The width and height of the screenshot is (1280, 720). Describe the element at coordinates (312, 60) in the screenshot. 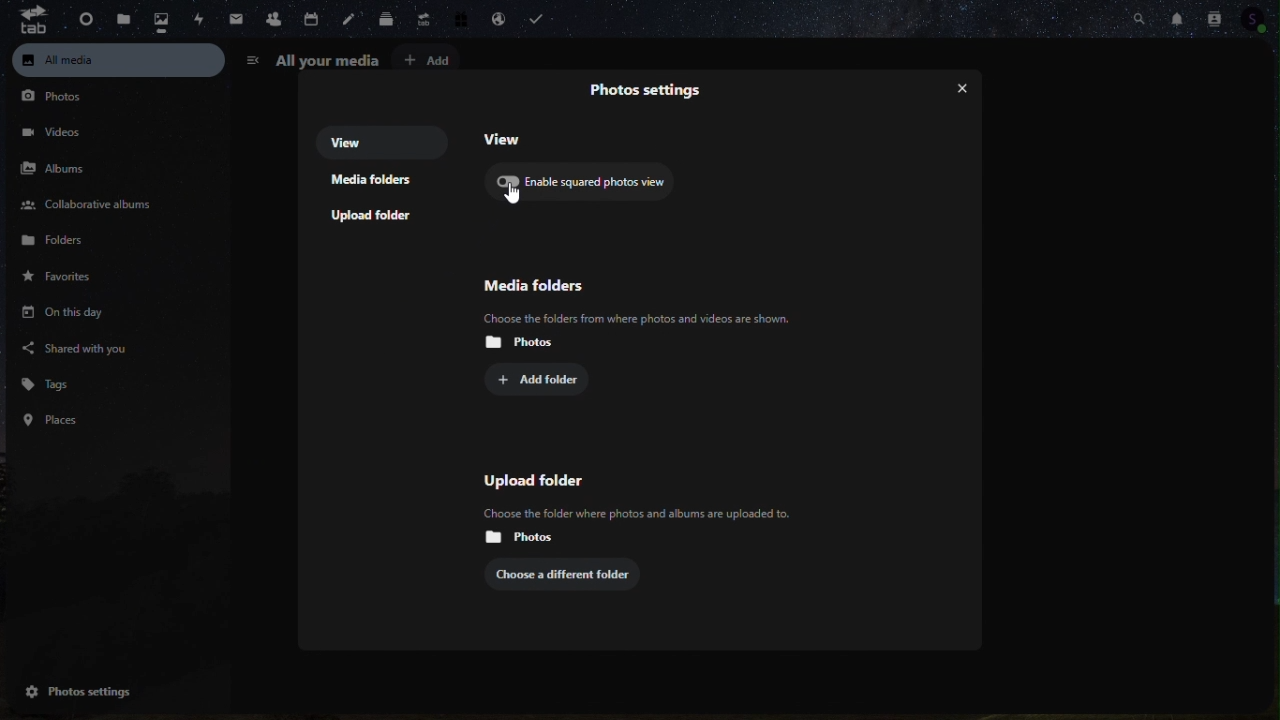

I see `All your media` at that location.